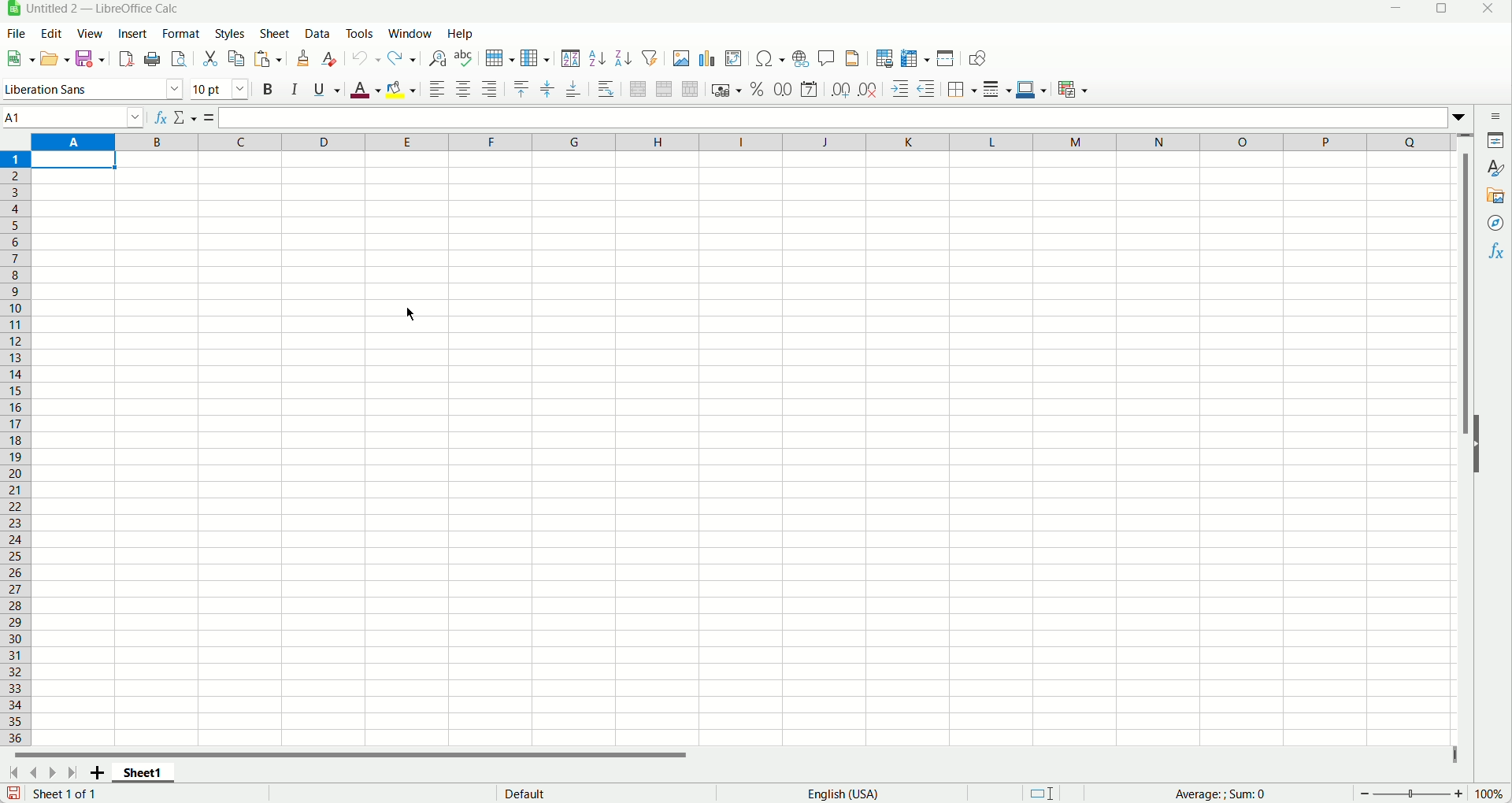 The width and height of the screenshot is (1512, 803). I want to click on English (USA), so click(851, 794).